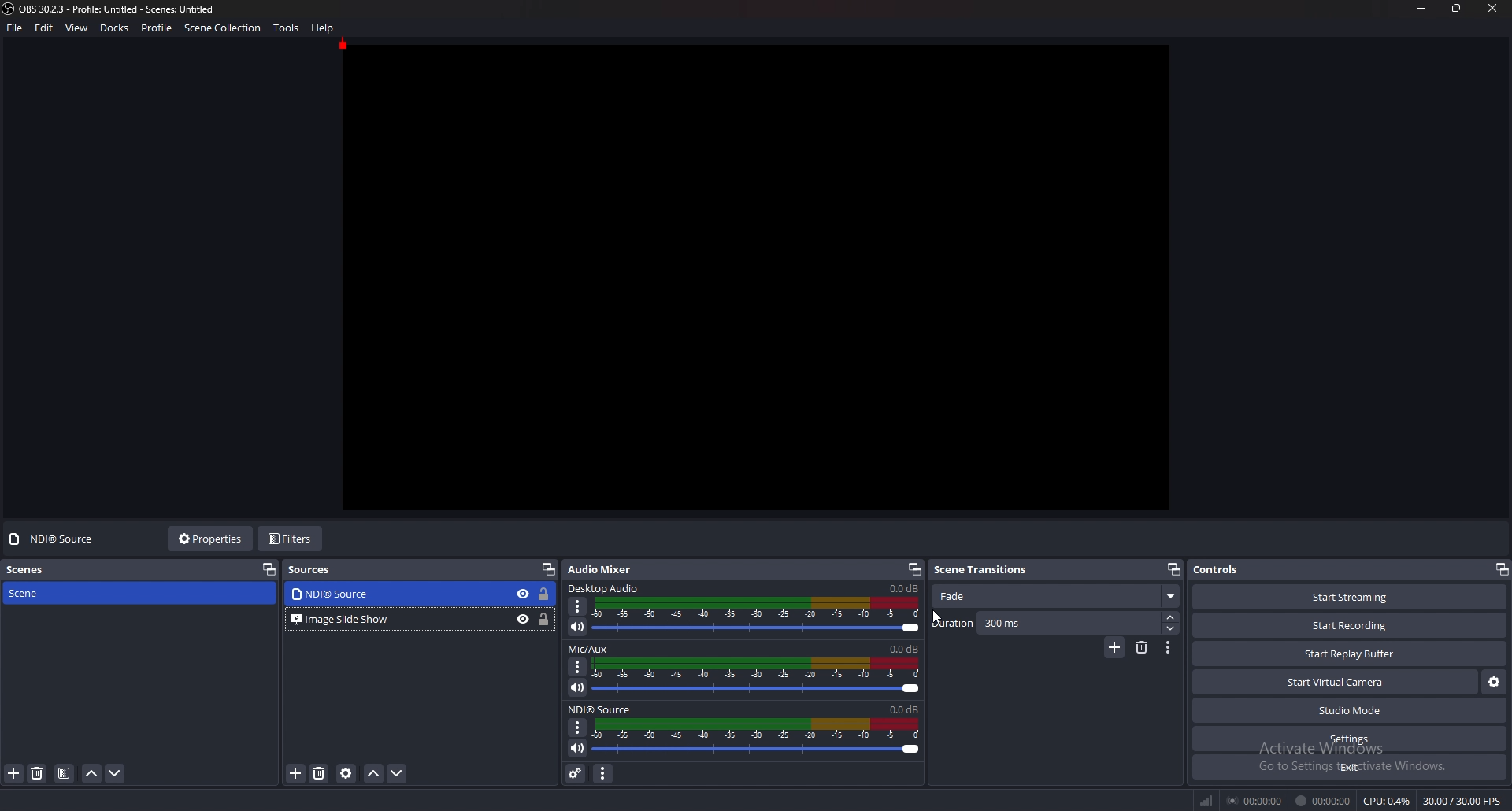 The width and height of the screenshot is (1512, 811). What do you see at coordinates (523, 594) in the screenshot?
I see `hide` at bounding box center [523, 594].